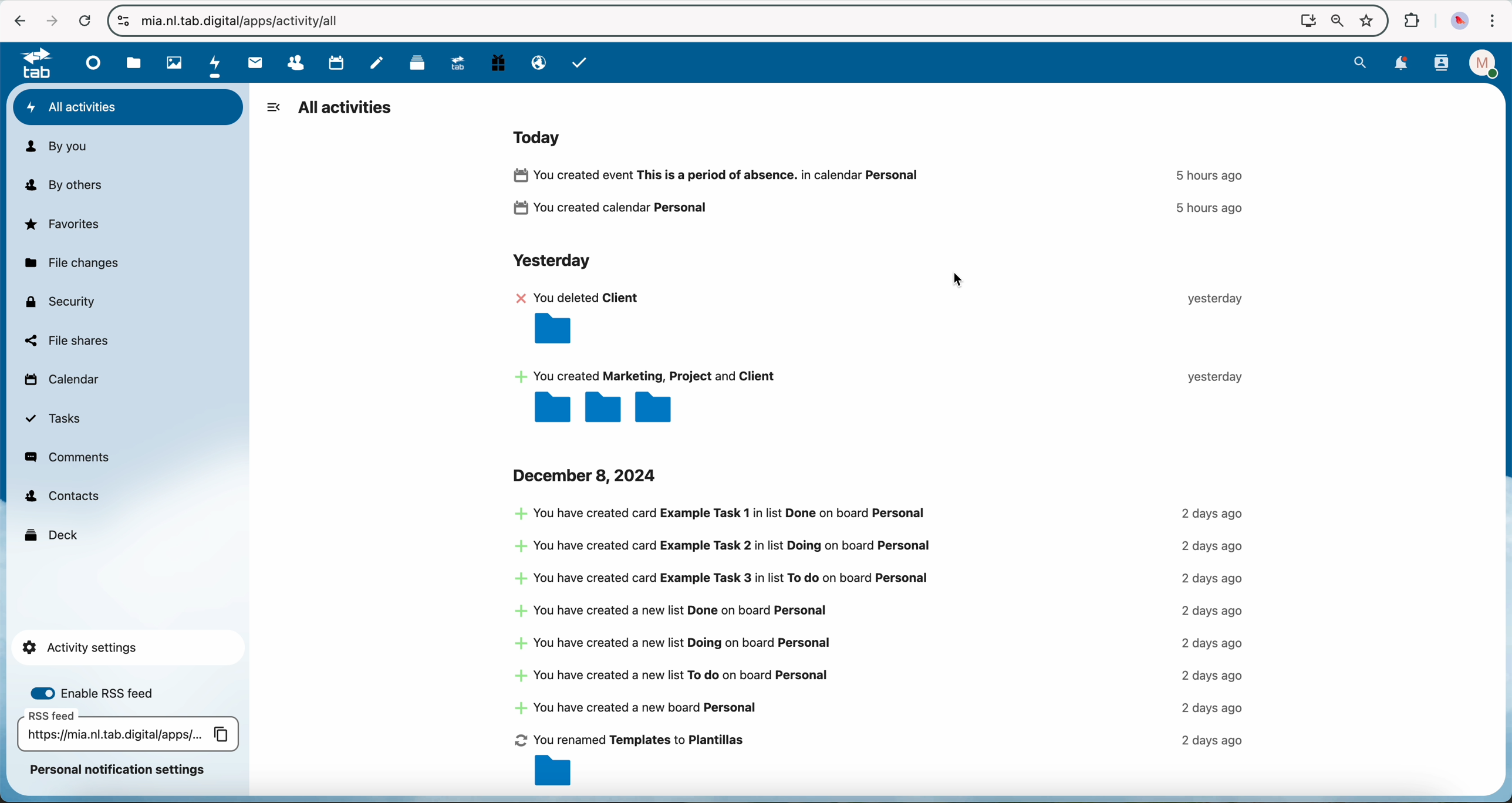  What do you see at coordinates (69, 457) in the screenshot?
I see `comments` at bounding box center [69, 457].